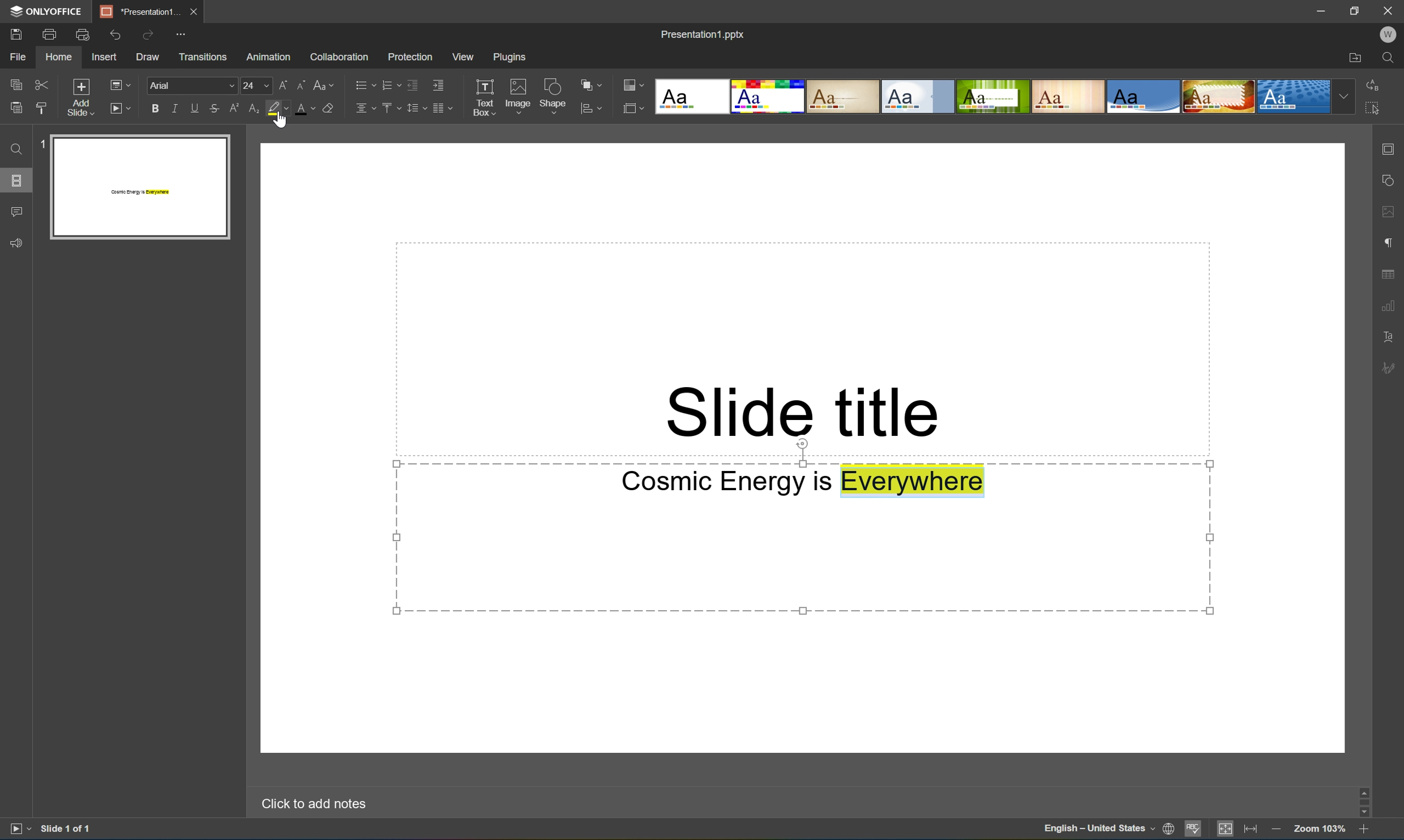  I want to click on Redo, so click(147, 35).